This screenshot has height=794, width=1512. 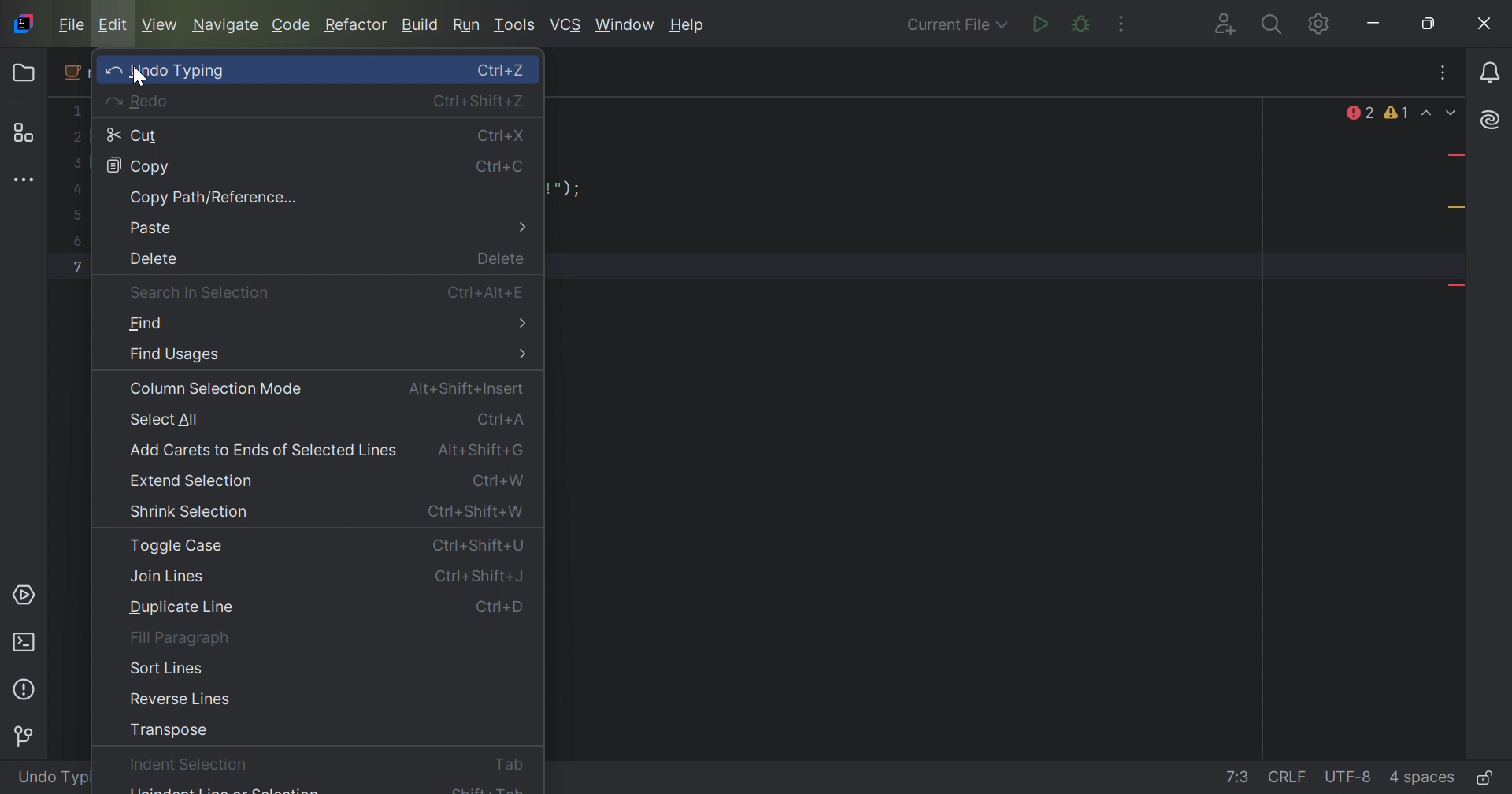 I want to click on Extend Selection, so click(x=196, y=480).